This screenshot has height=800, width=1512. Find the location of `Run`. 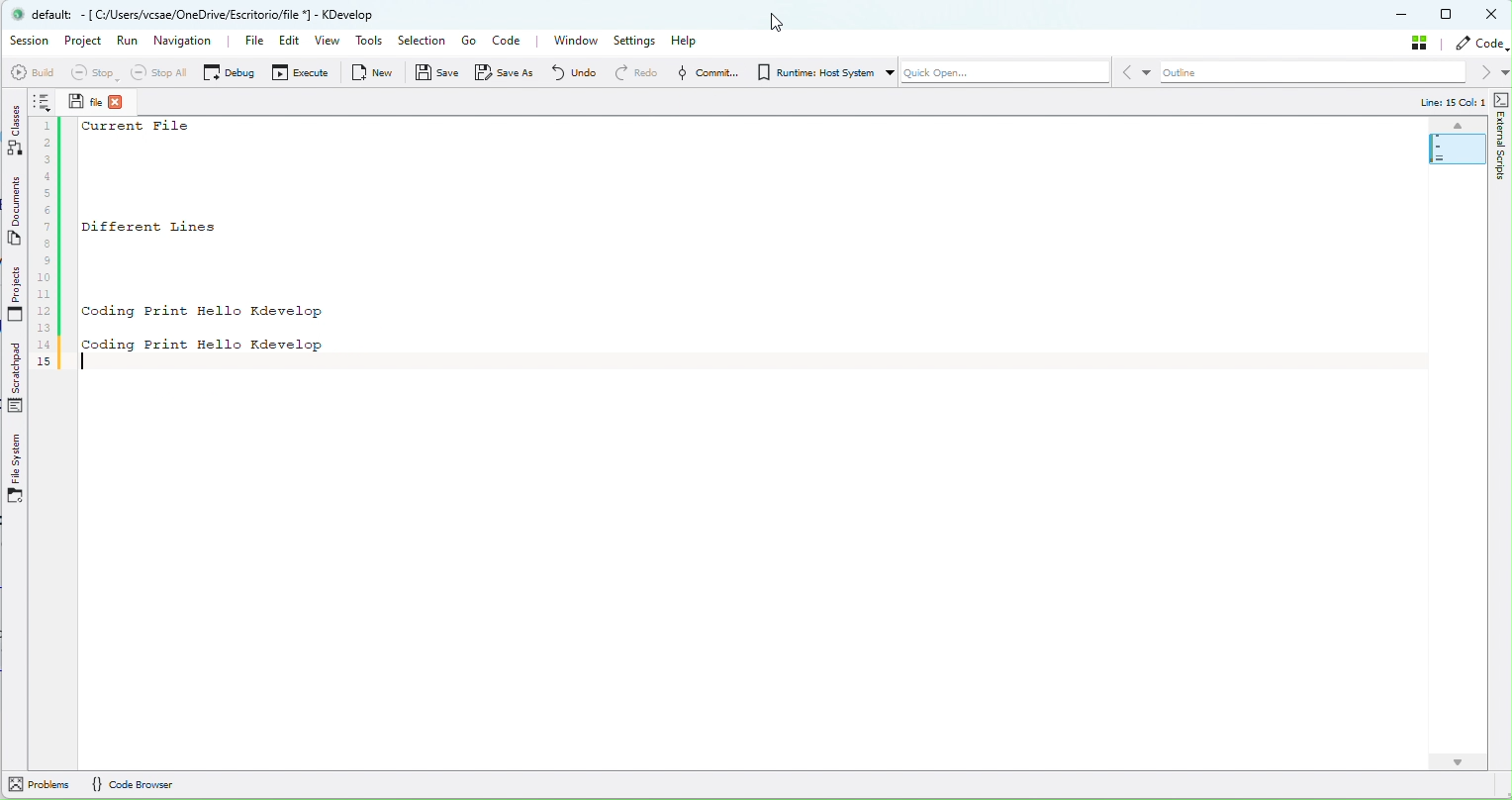

Run is located at coordinates (128, 46).